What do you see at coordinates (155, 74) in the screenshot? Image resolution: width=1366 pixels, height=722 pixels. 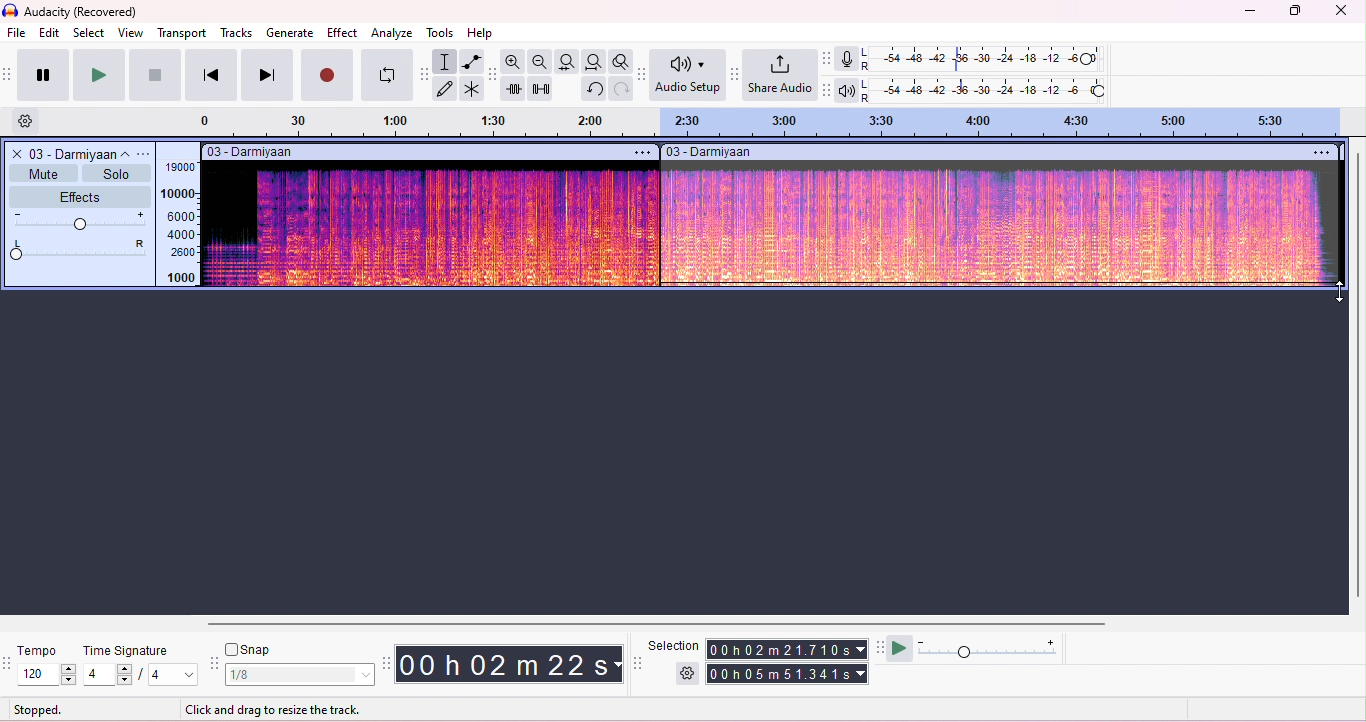 I see `stop` at bounding box center [155, 74].